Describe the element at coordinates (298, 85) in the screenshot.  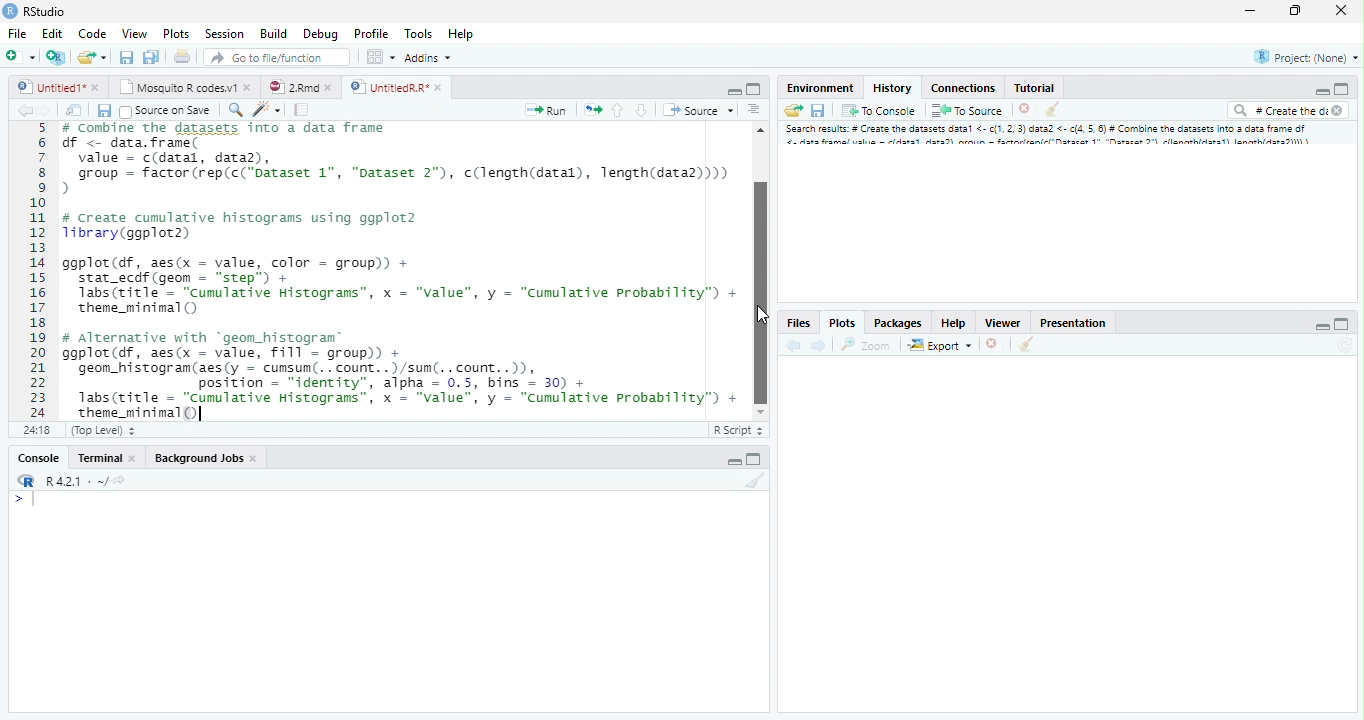
I see `2.Rmd` at that location.